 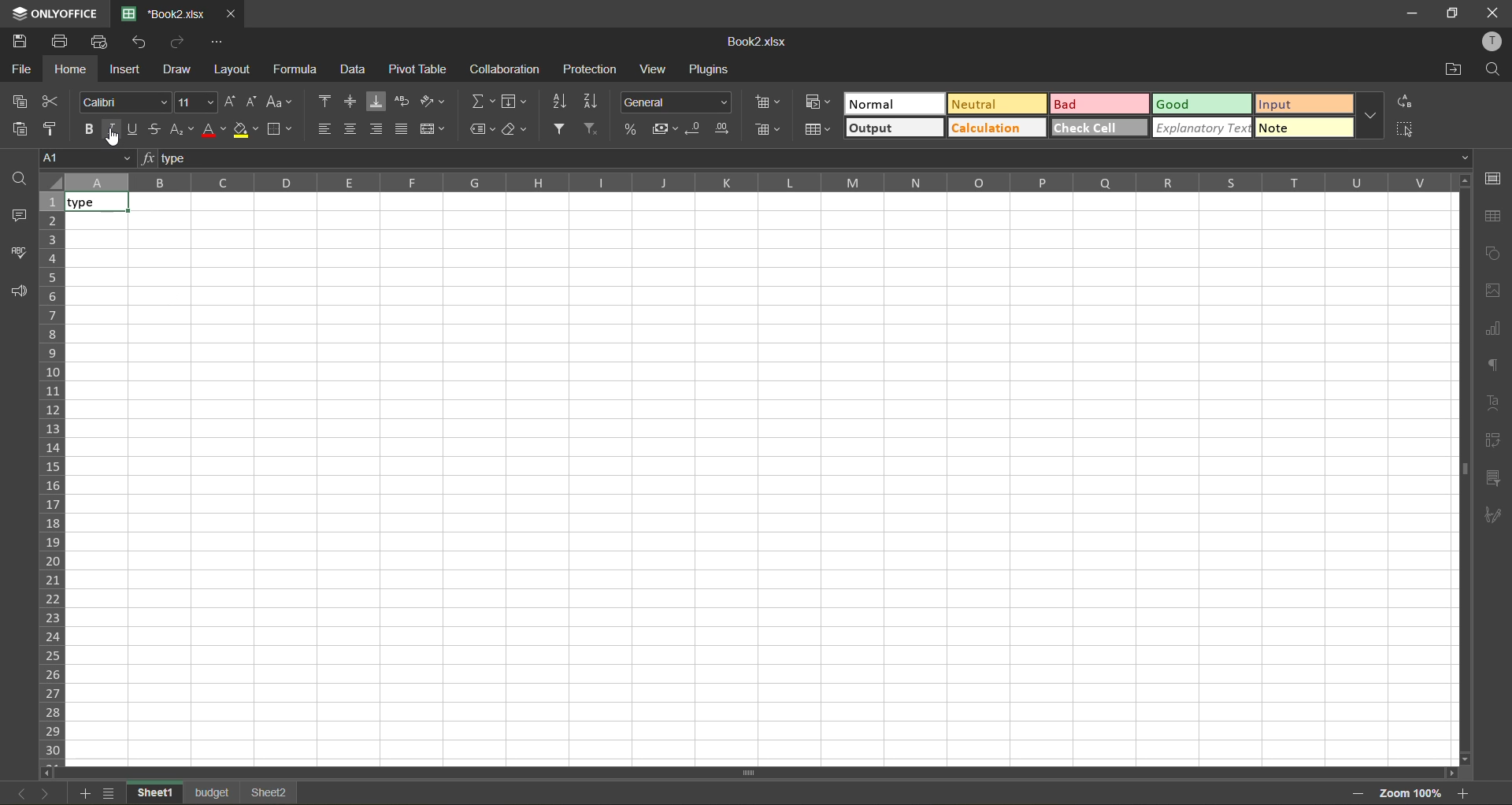 What do you see at coordinates (1100, 104) in the screenshot?
I see `bad` at bounding box center [1100, 104].